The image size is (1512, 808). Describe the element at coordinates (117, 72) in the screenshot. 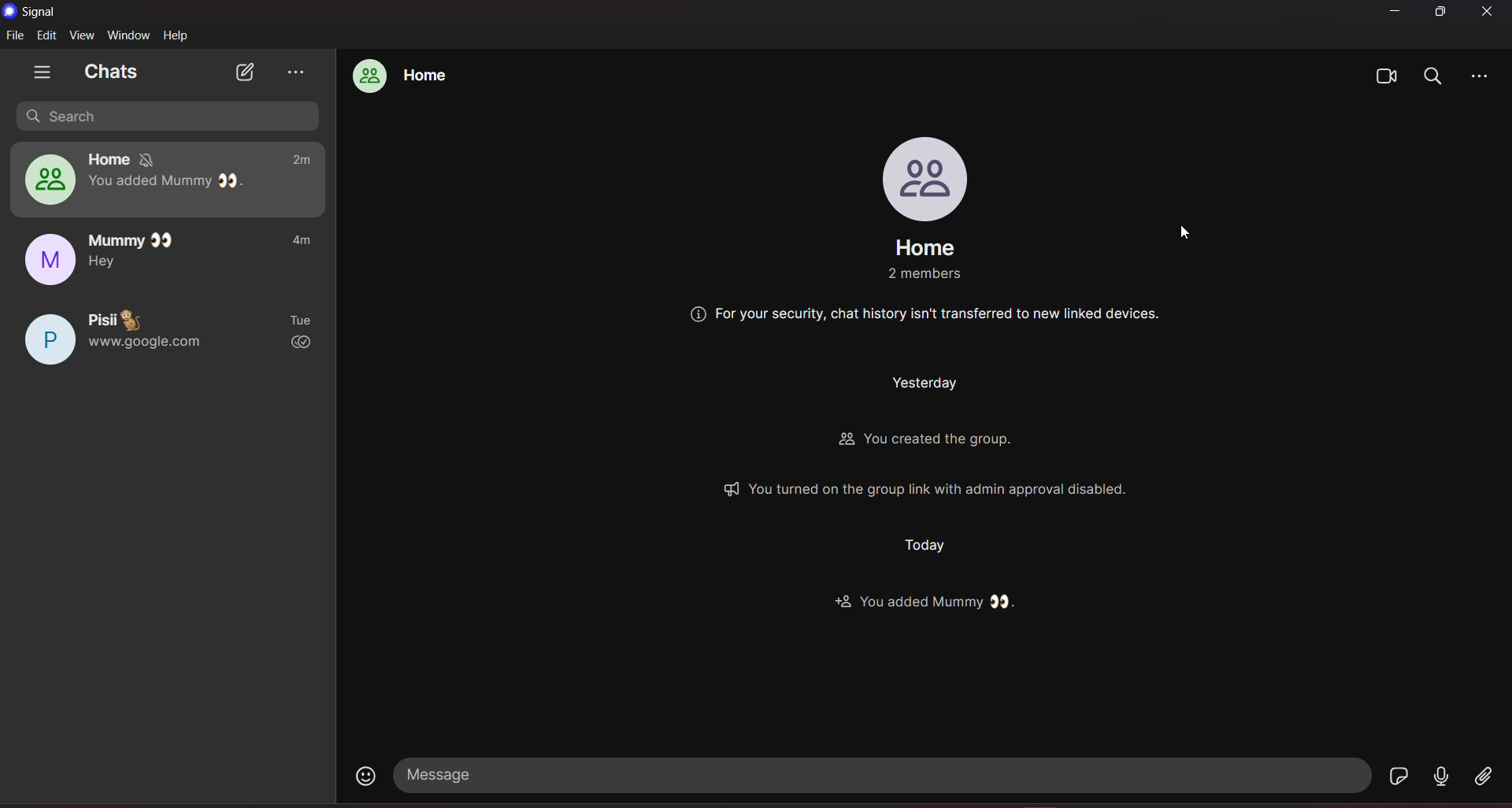

I see `chats` at that location.